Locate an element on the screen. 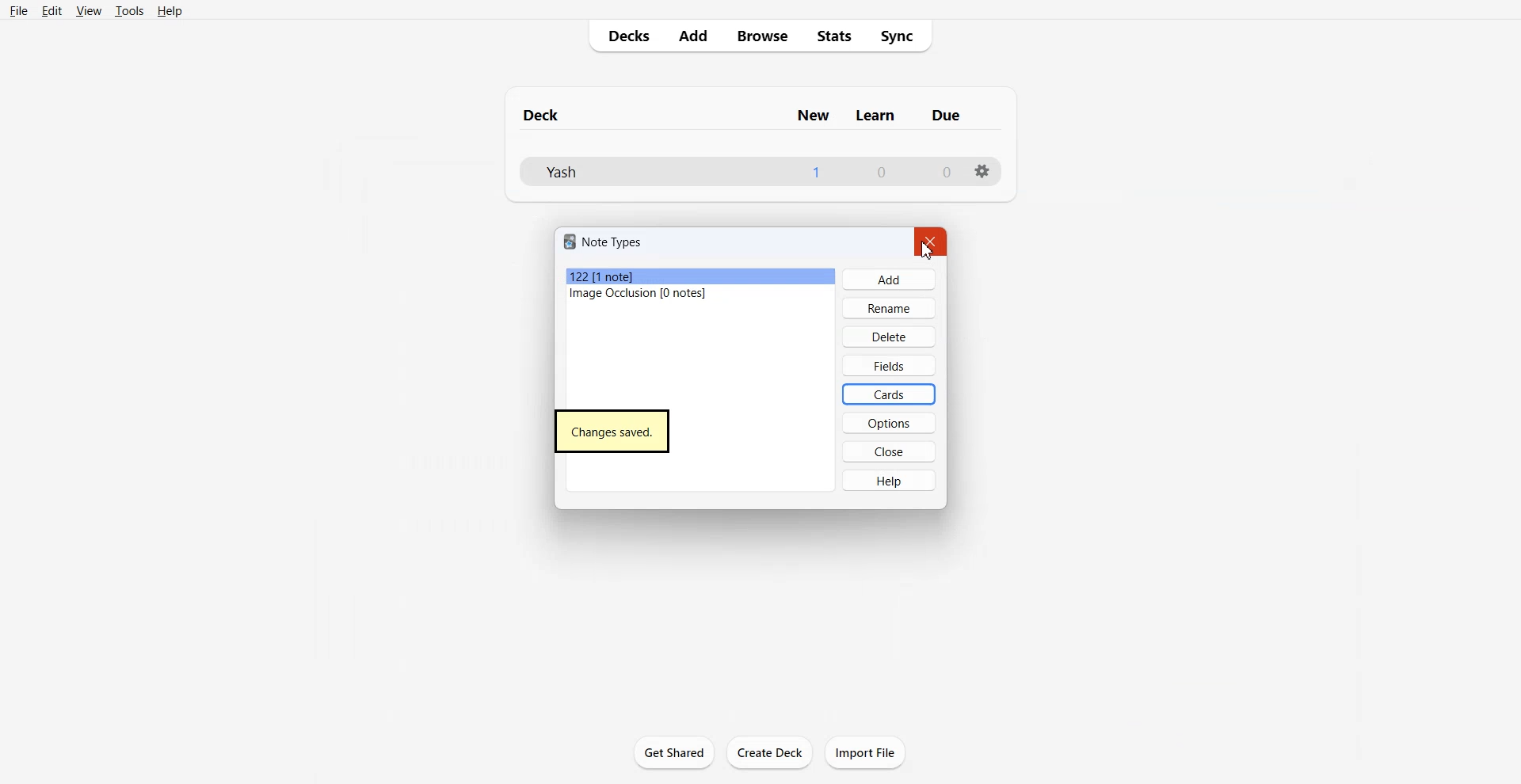  Create Deck is located at coordinates (771, 753).